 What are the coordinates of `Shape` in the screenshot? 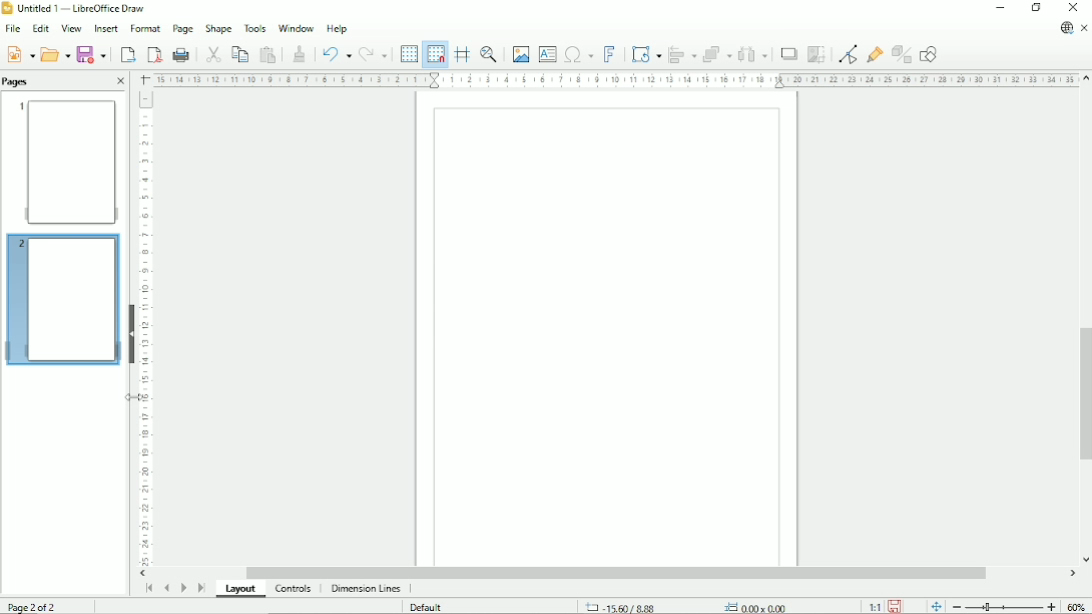 It's located at (218, 28).